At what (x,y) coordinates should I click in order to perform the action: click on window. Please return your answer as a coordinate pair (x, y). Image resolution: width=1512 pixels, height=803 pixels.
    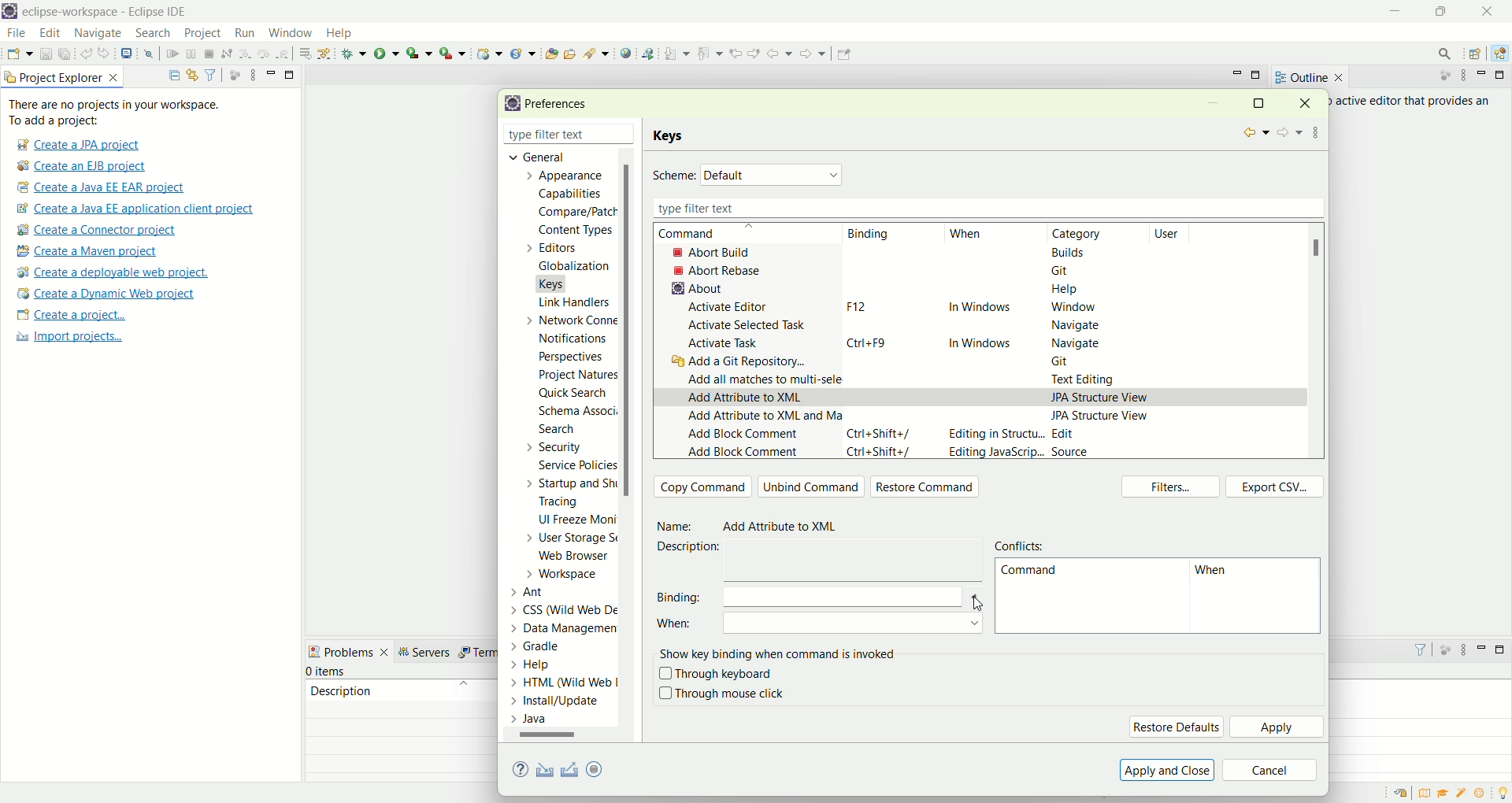
    Looking at the image, I should click on (289, 29).